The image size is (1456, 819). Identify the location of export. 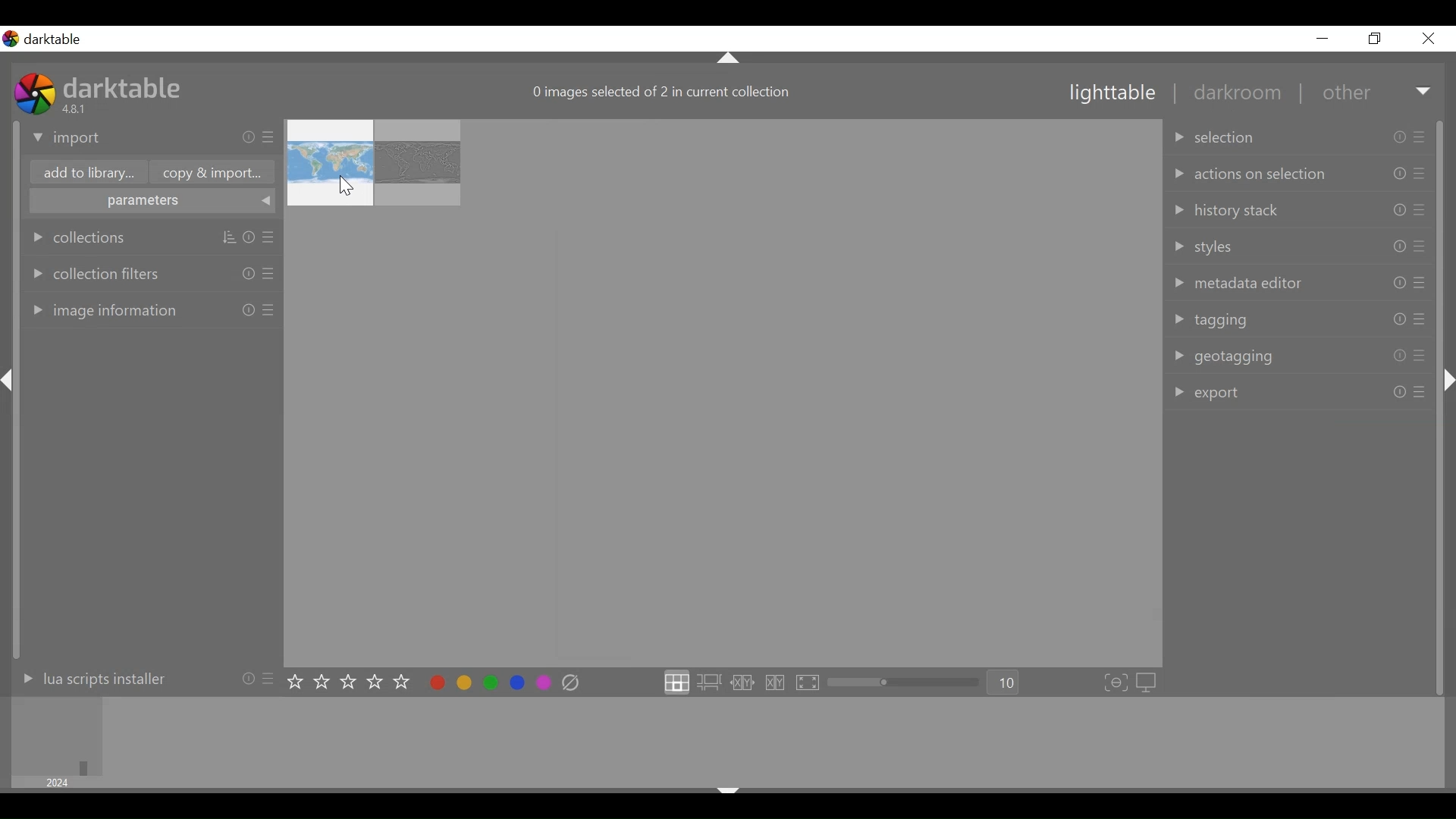
(1301, 393).